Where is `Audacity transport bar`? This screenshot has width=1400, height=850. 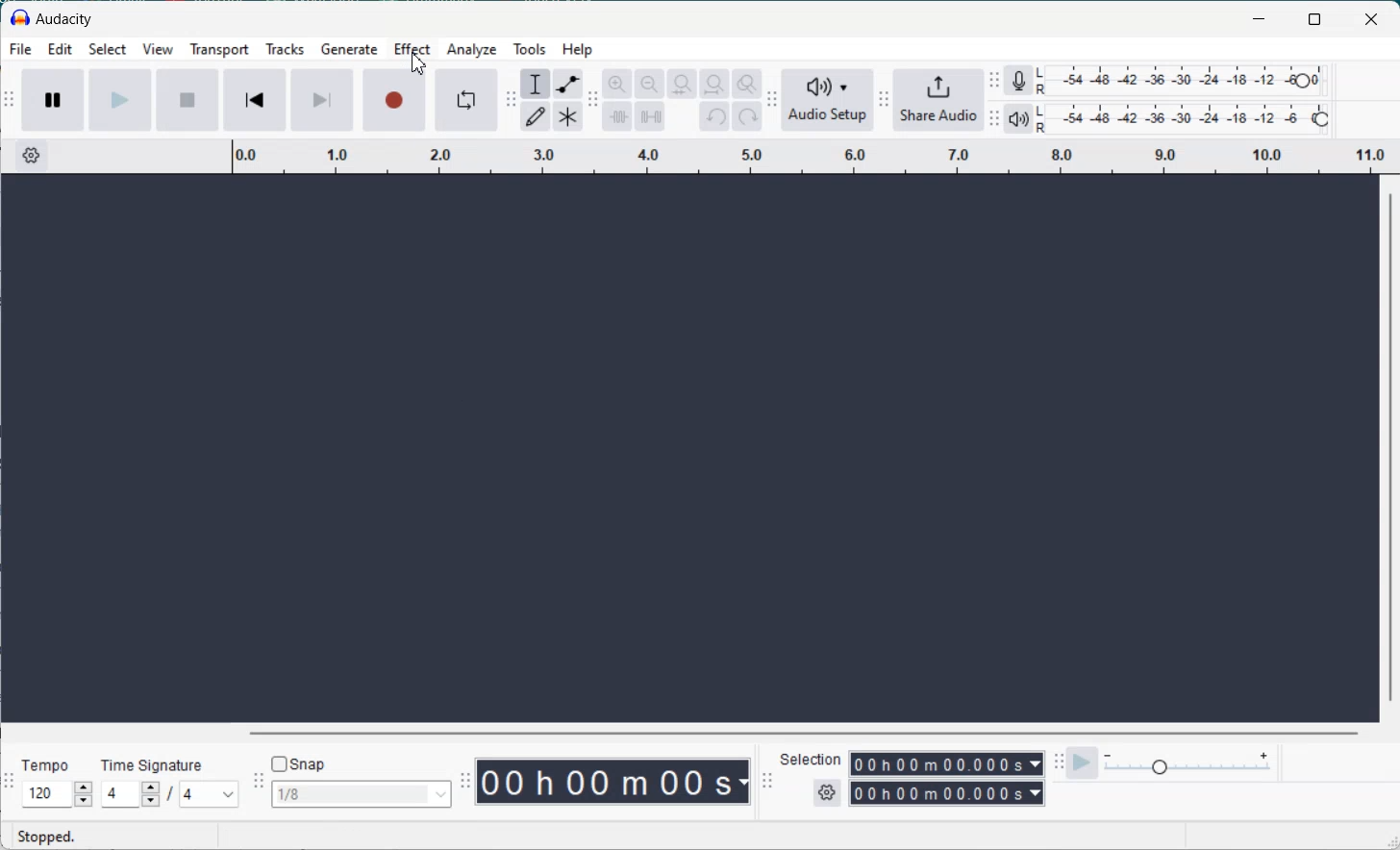
Audacity transport bar is located at coordinates (10, 101).